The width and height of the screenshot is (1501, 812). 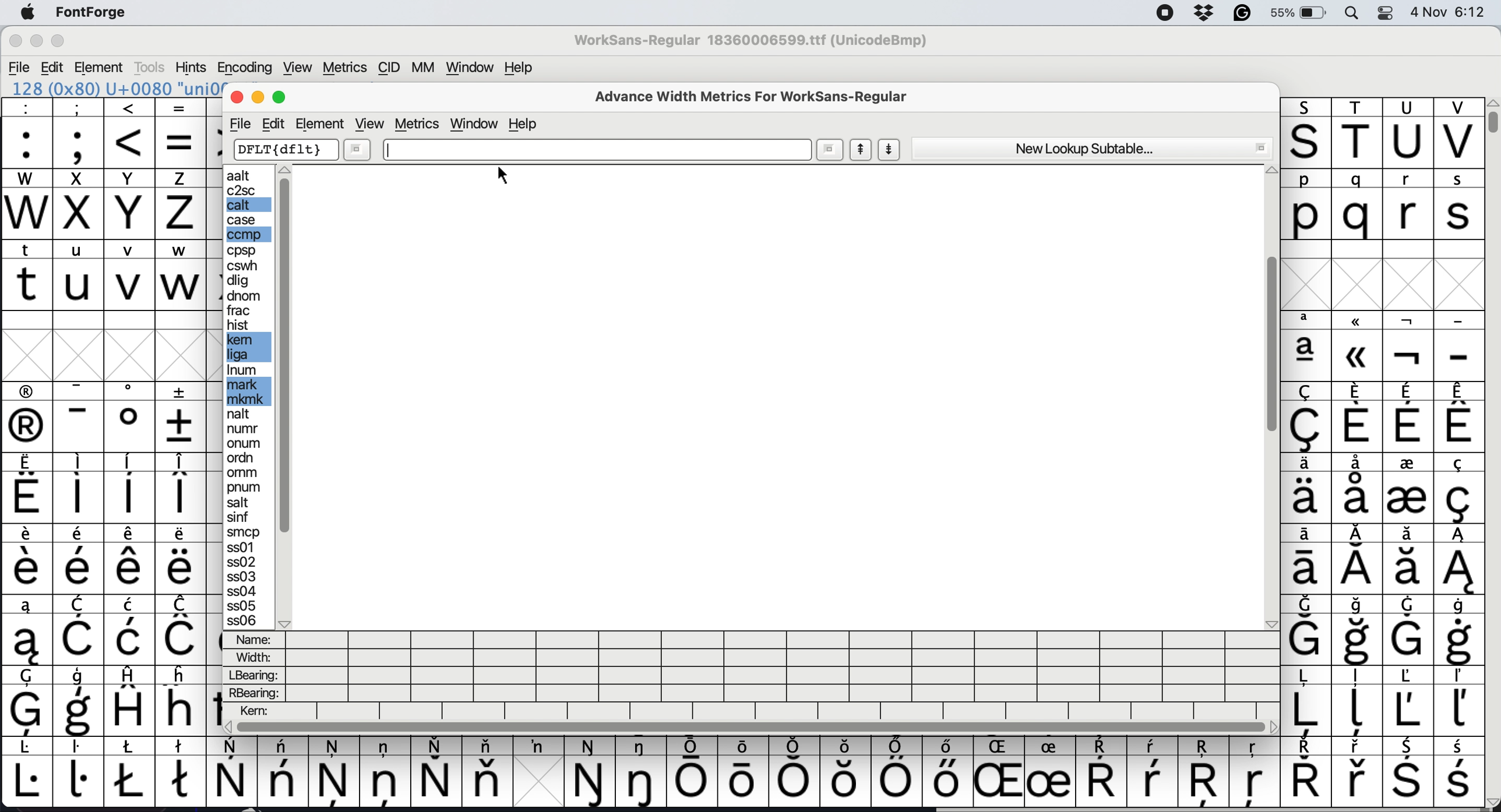 I want to click on special characters, so click(x=1383, y=709).